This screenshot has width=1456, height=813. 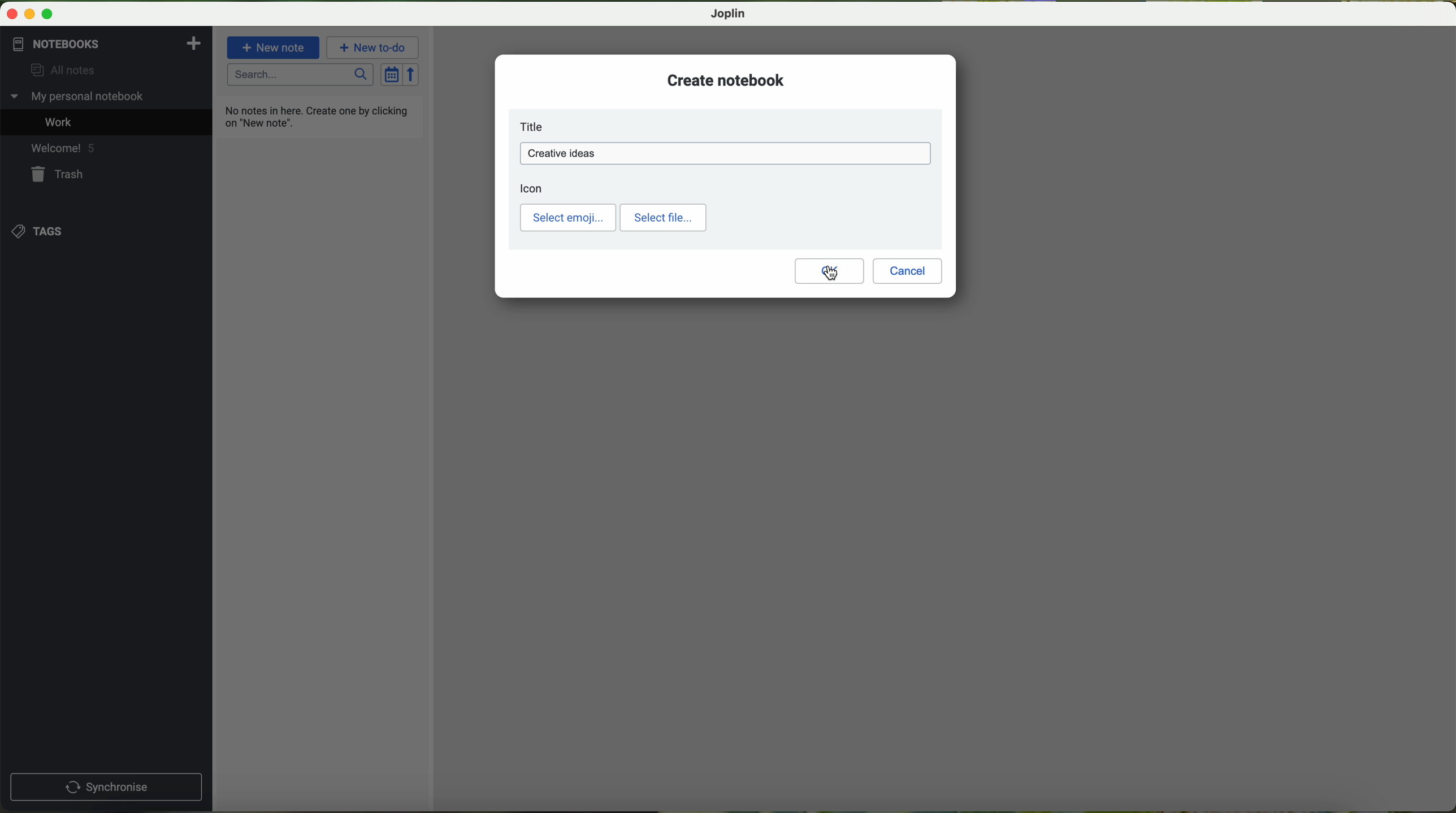 What do you see at coordinates (532, 188) in the screenshot?
I see `icon` at bounding box center [532, 188].